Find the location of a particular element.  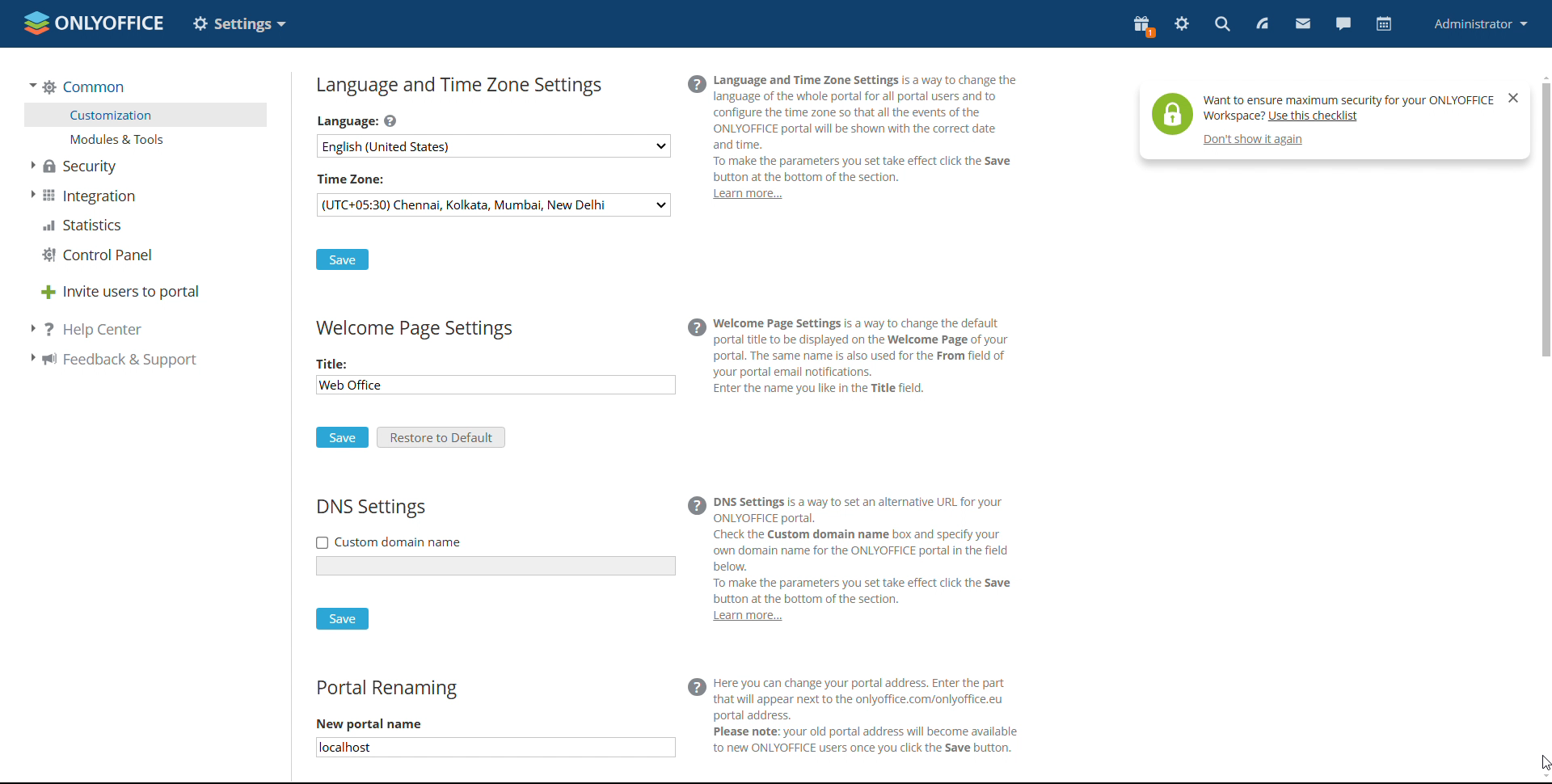

don't show again is located at coordinates (1255, 141).